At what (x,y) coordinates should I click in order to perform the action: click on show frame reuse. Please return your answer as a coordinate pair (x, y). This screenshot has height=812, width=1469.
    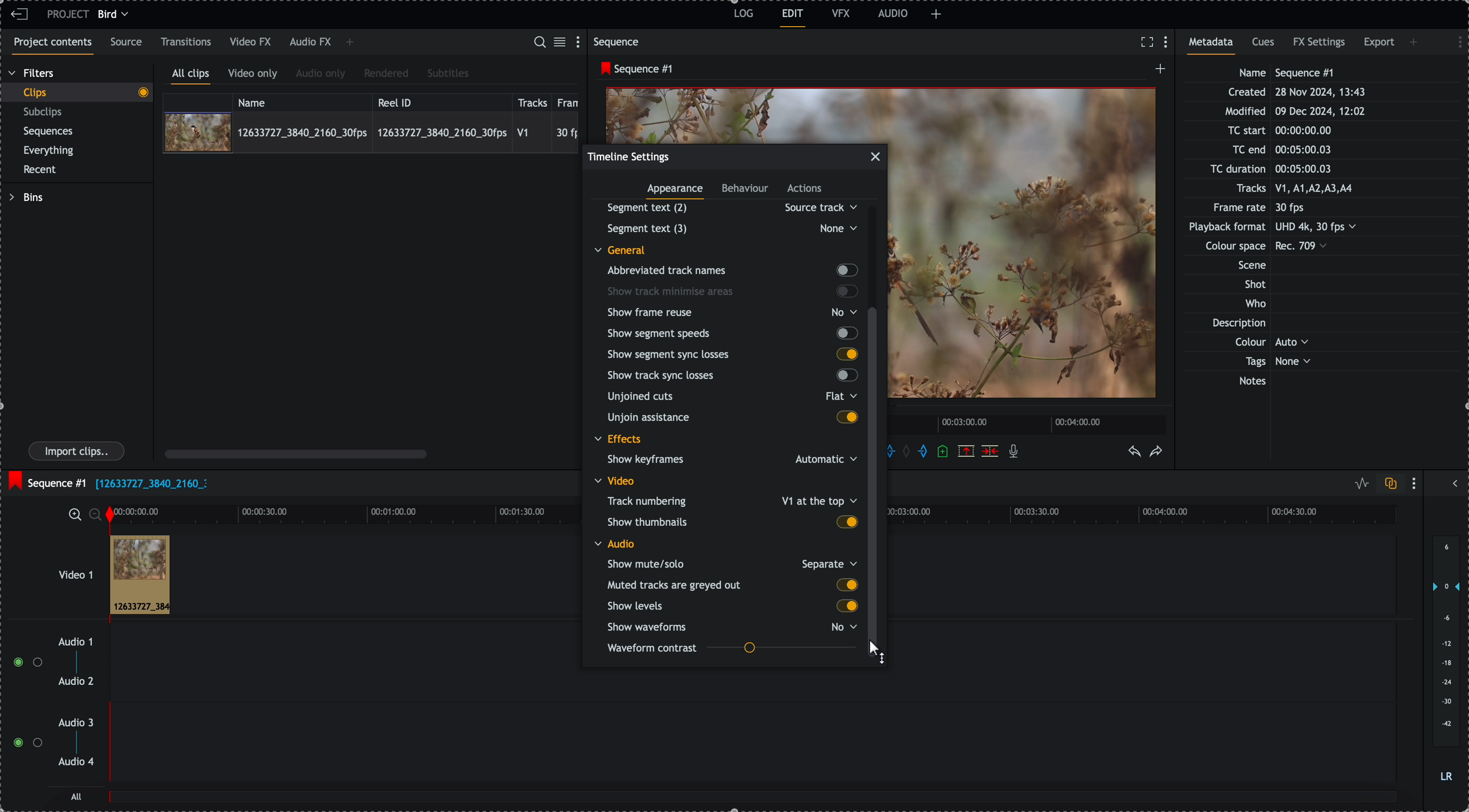
    Looking at the image, I should click on (734, 312).